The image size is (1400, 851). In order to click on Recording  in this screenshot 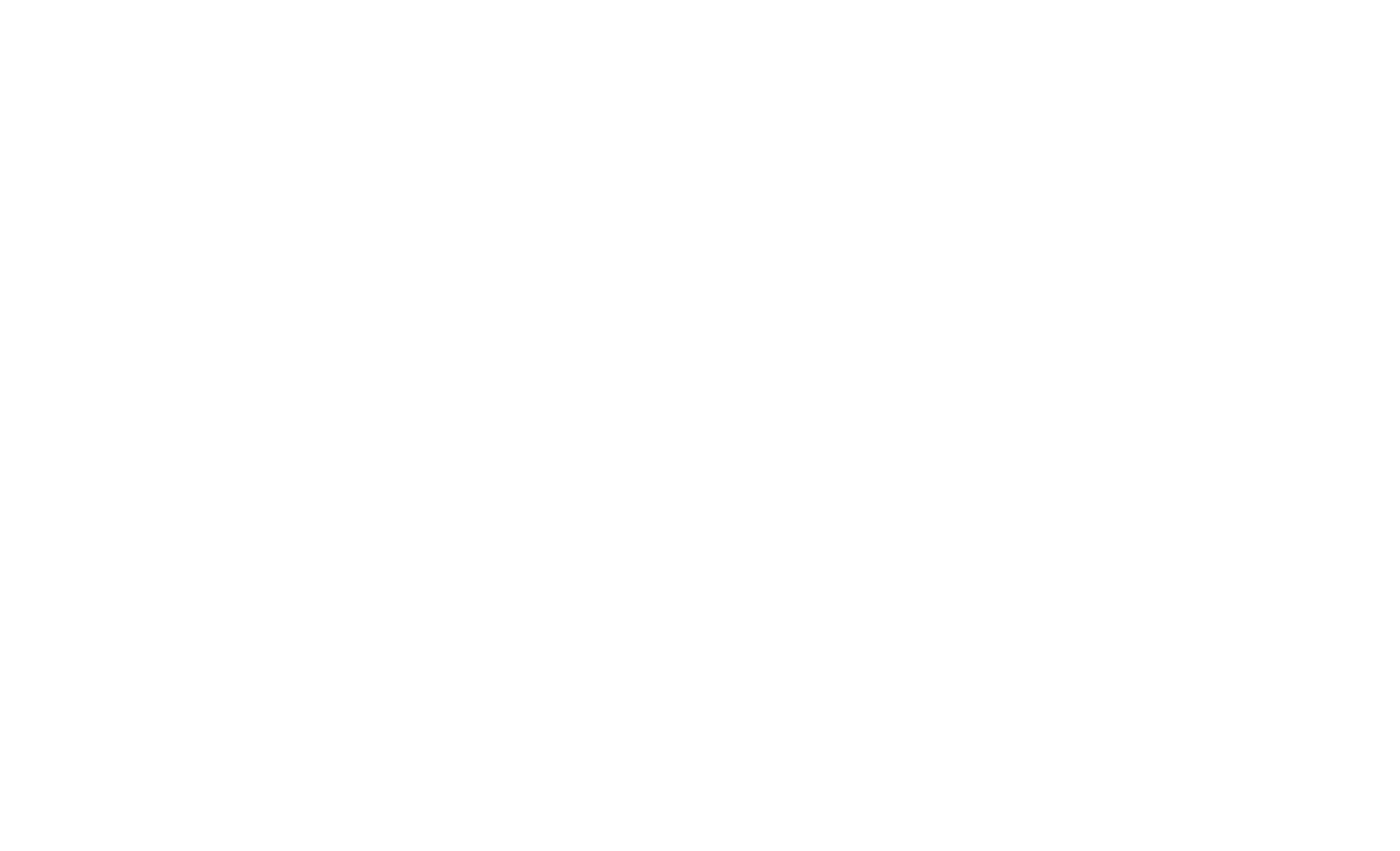, I will do `click(1164, 836)`.